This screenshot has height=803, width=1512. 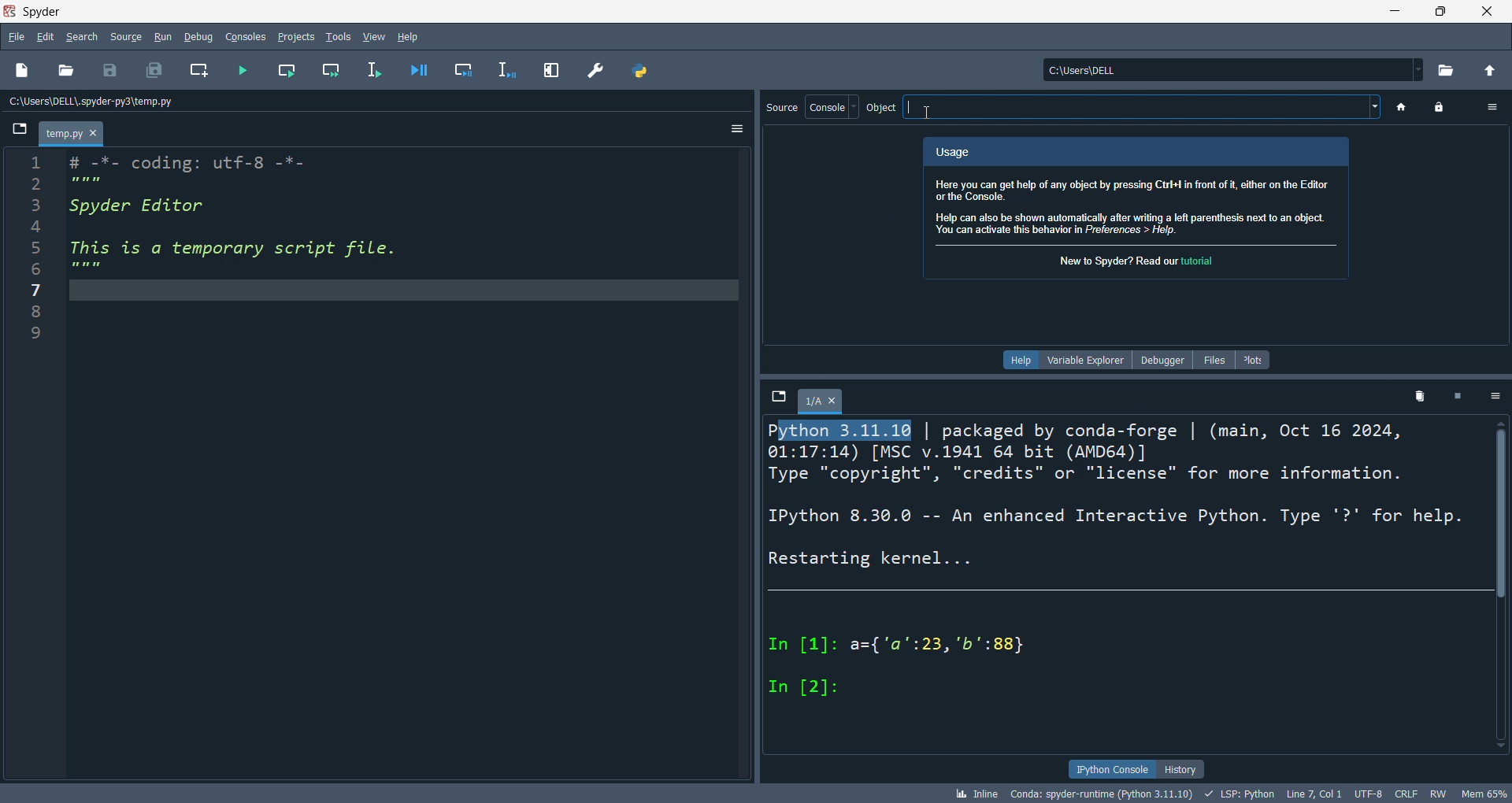 What do you see at coordinates (25, 71) in the screenshot?
I see `new file` at bounding box center [25, 71].